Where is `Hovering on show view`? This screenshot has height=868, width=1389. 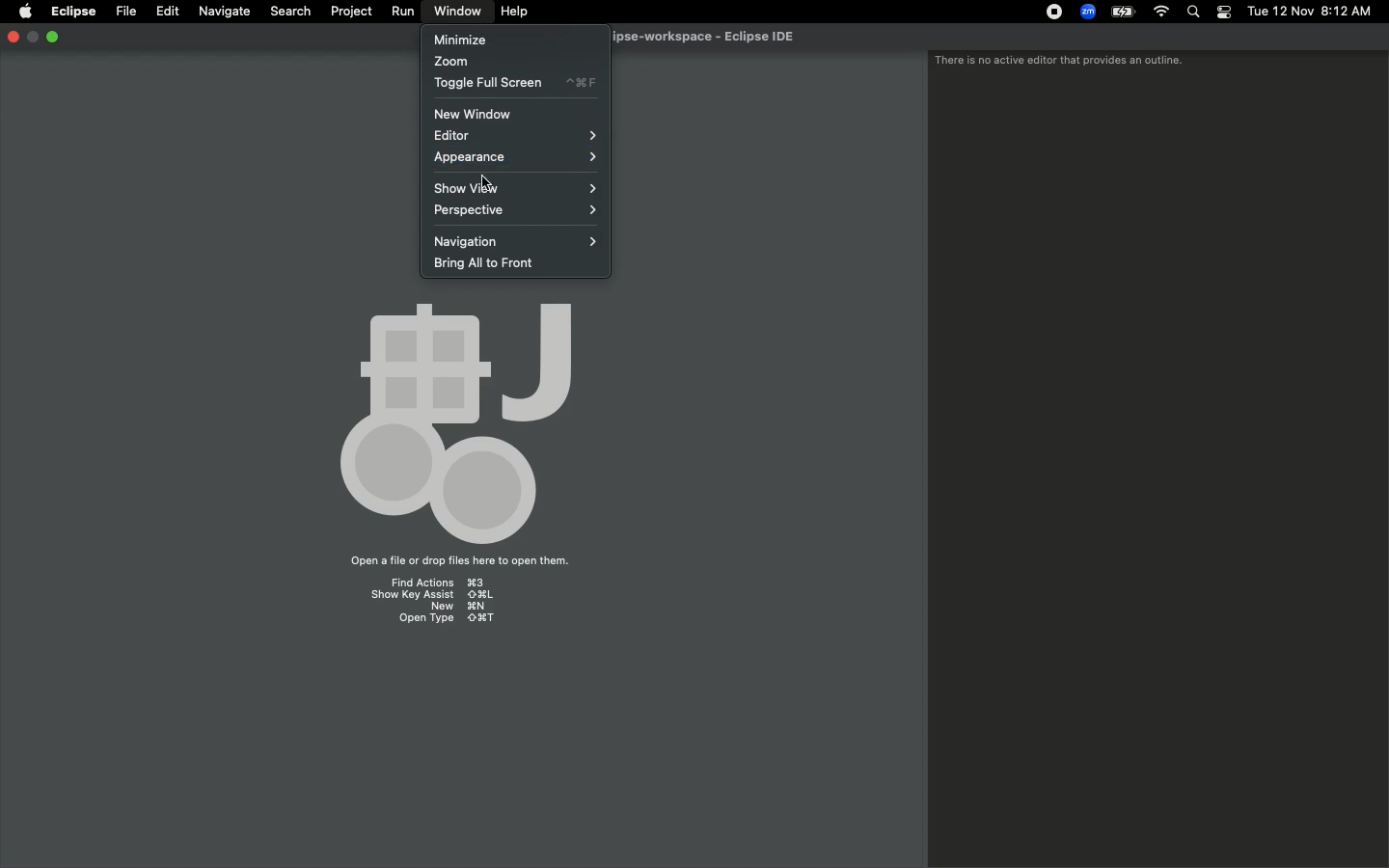
Hovering on show view is located at coordinates (514, 187).